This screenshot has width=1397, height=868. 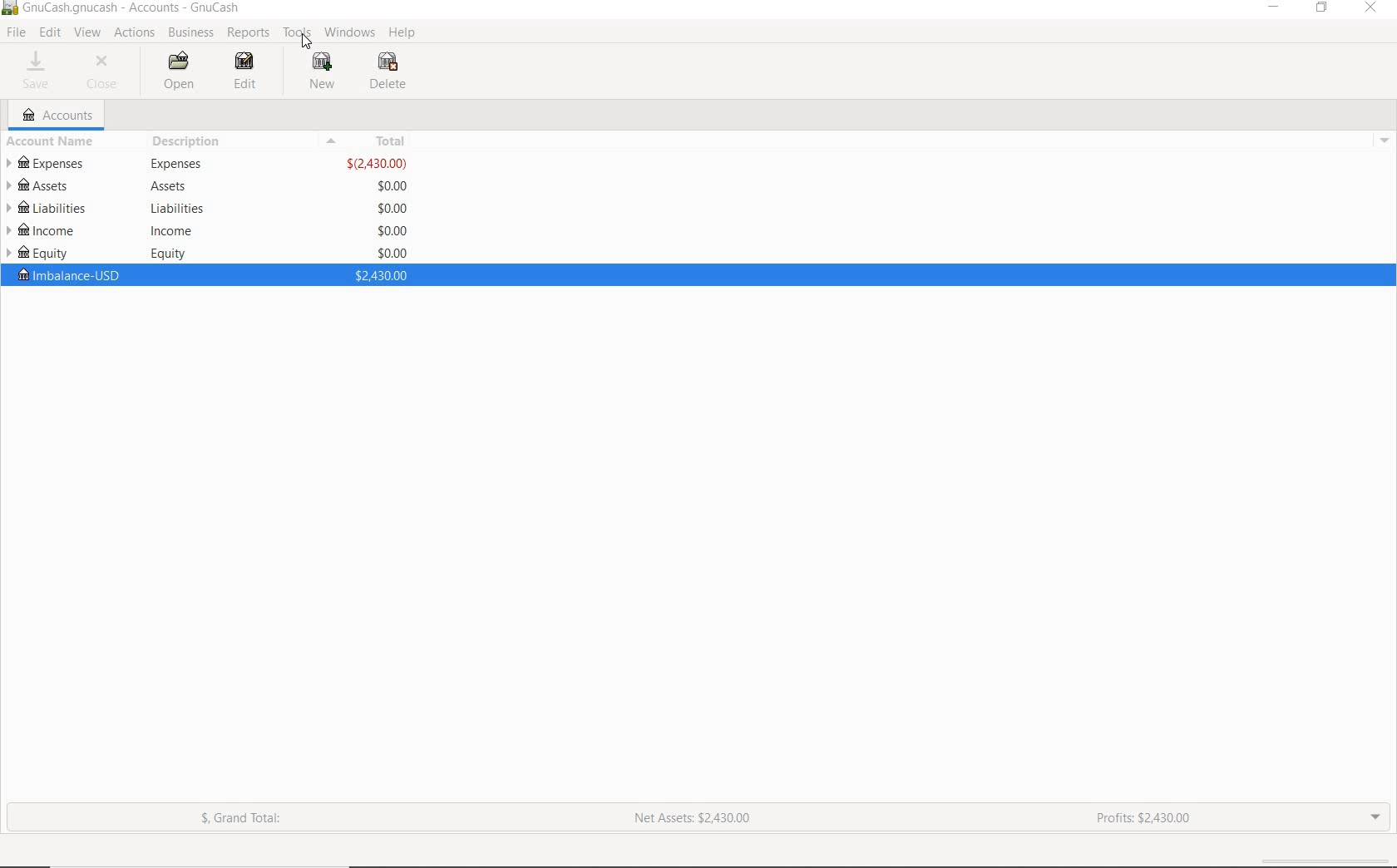 I want to click on SAVE, so click(x=35, y=70).